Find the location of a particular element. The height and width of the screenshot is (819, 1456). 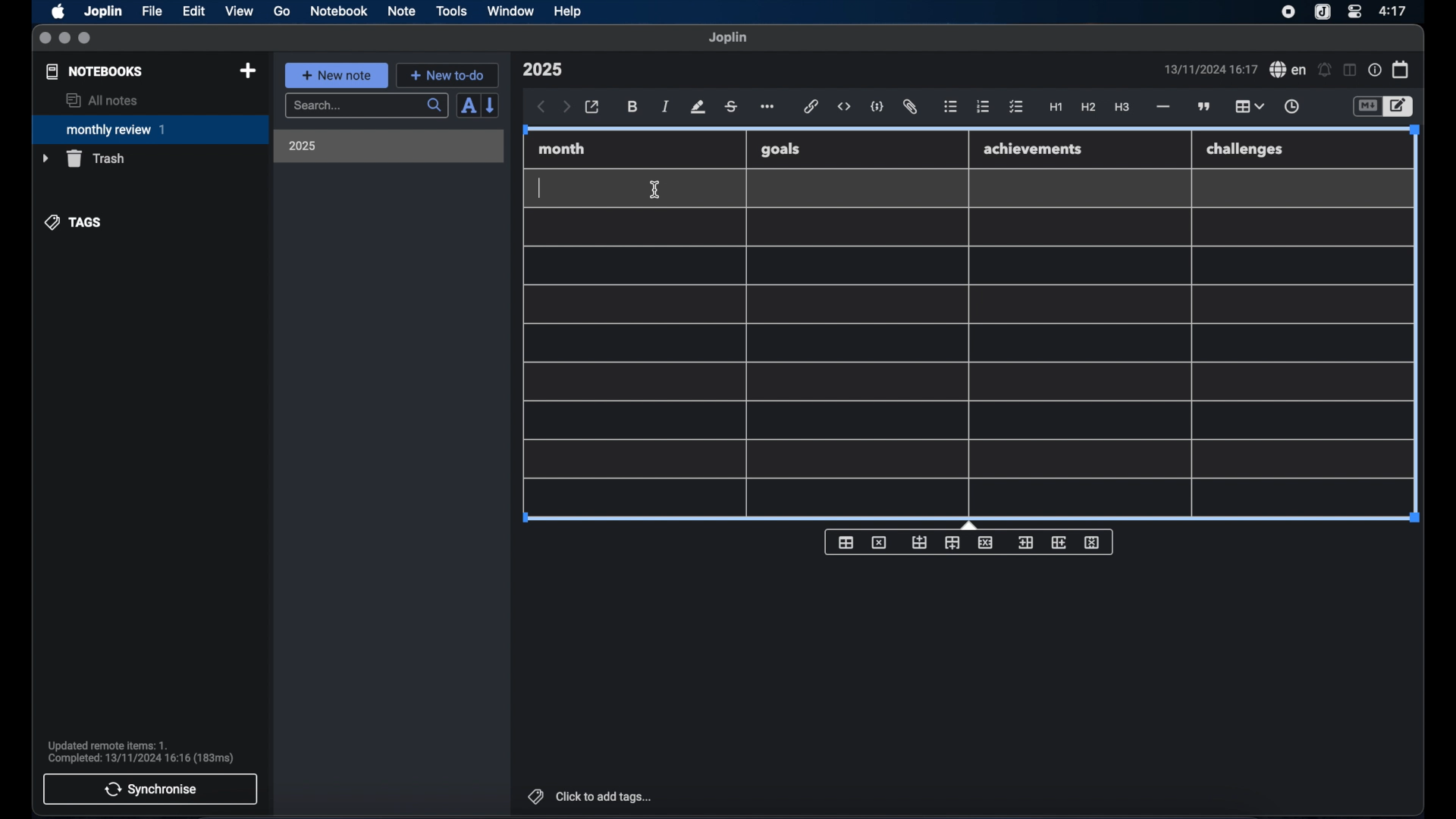

I beam cursor is located at coordinates (655, 190).